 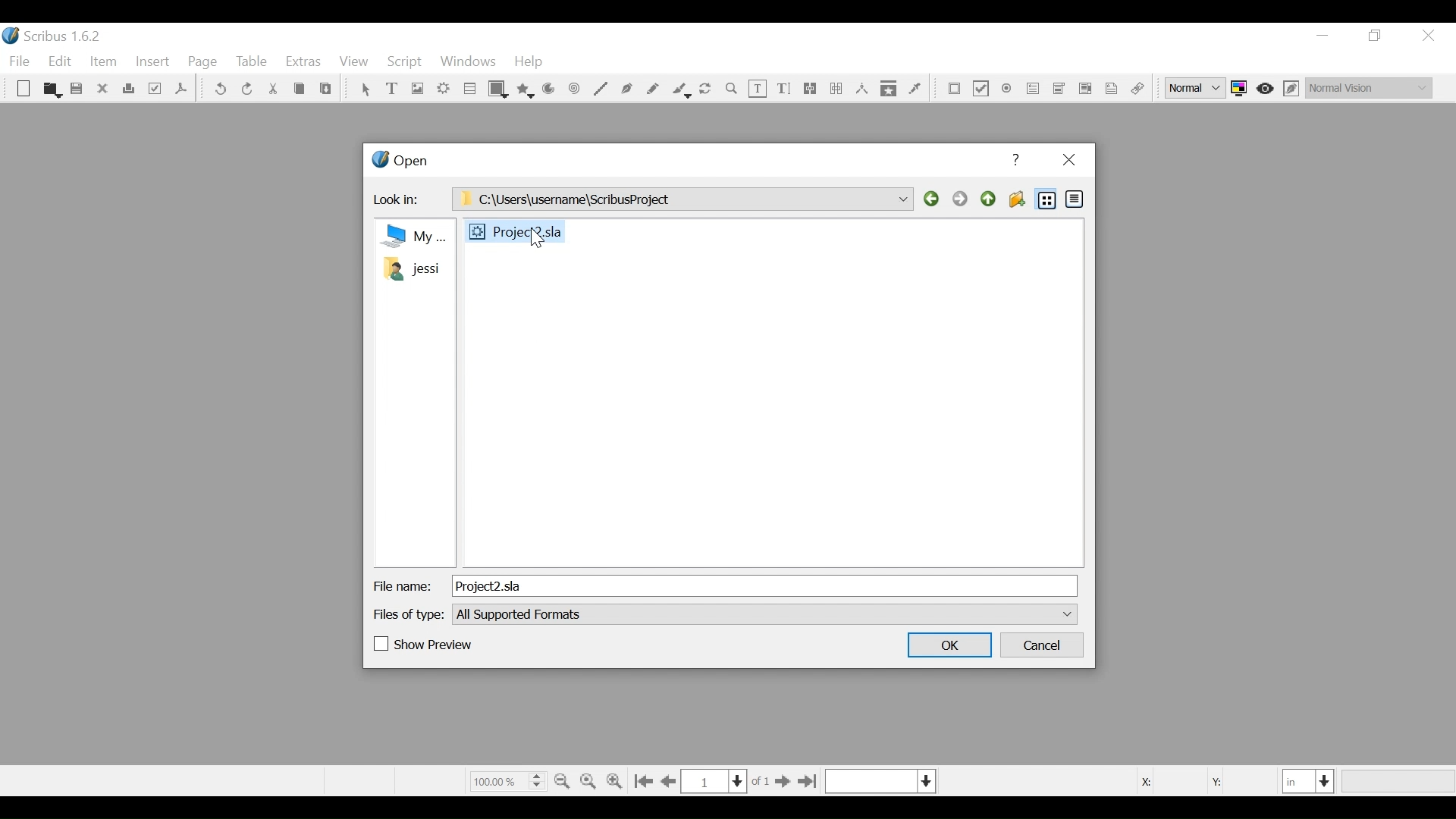 I want to click on undo, so click(x=221, y=89).